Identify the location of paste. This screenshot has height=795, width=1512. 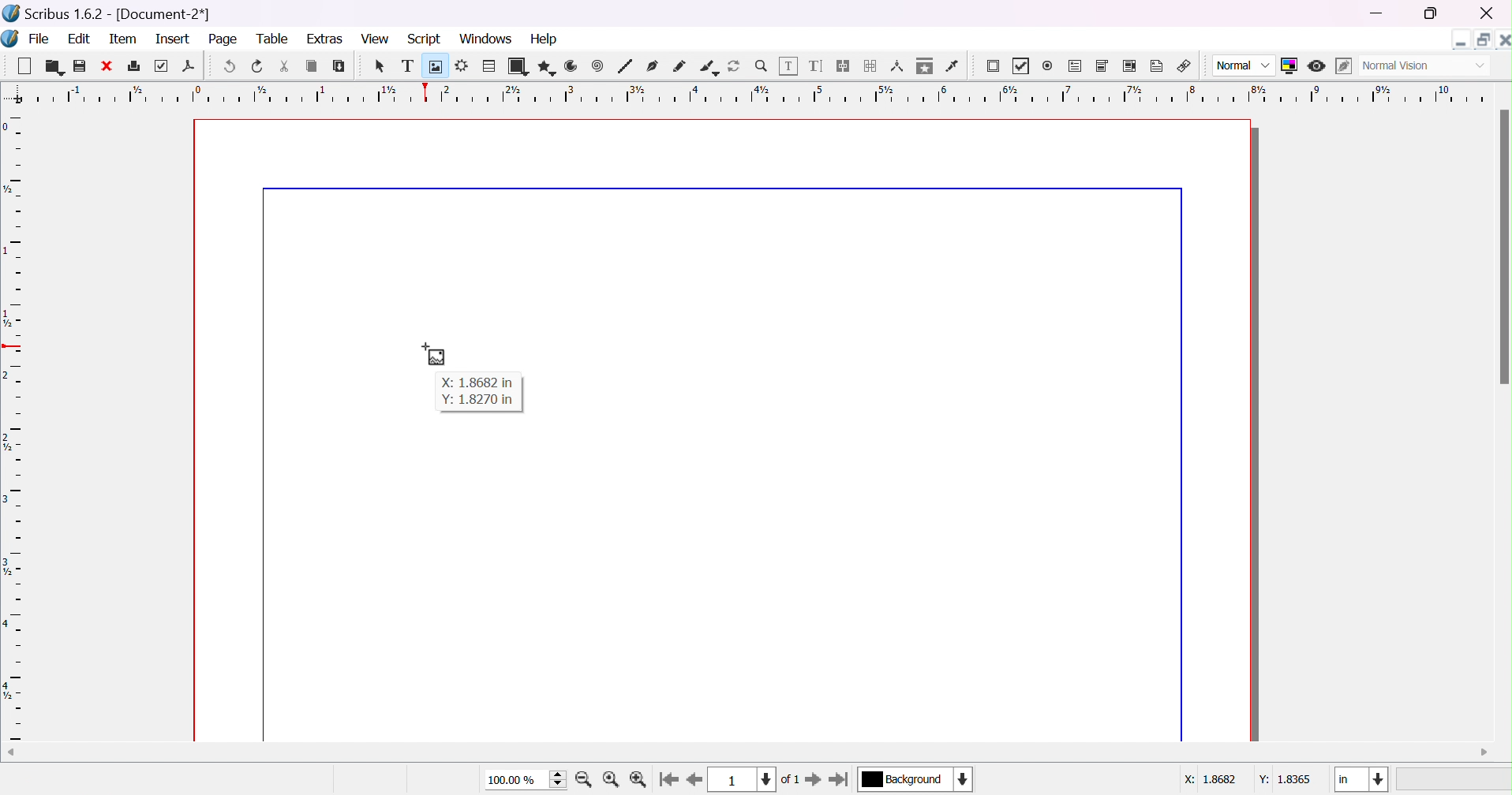
(339, 65).